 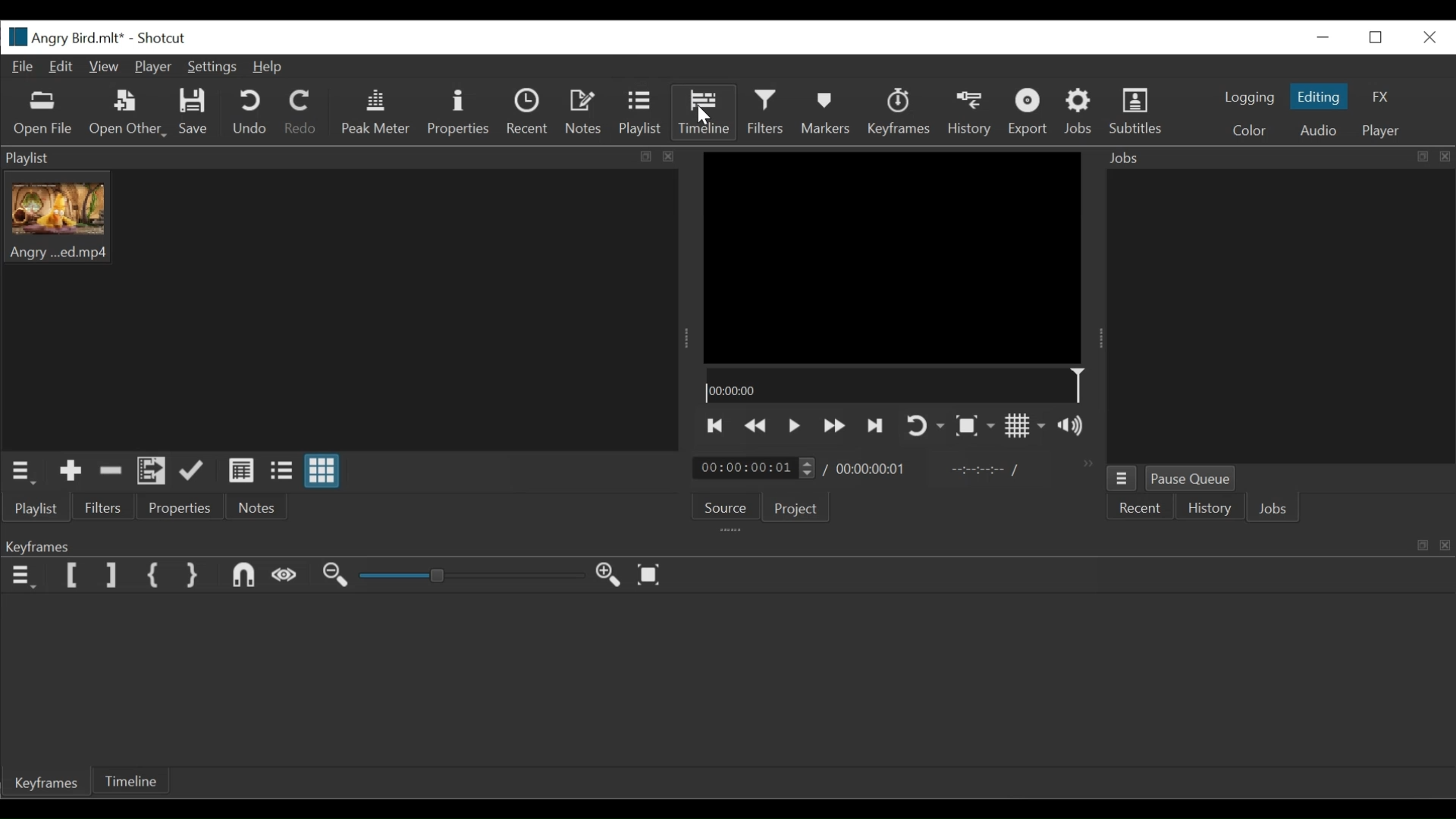 What do you see at coordinates (757, 425) in the screenshot?
I see `` at bounding box center [757, 425].